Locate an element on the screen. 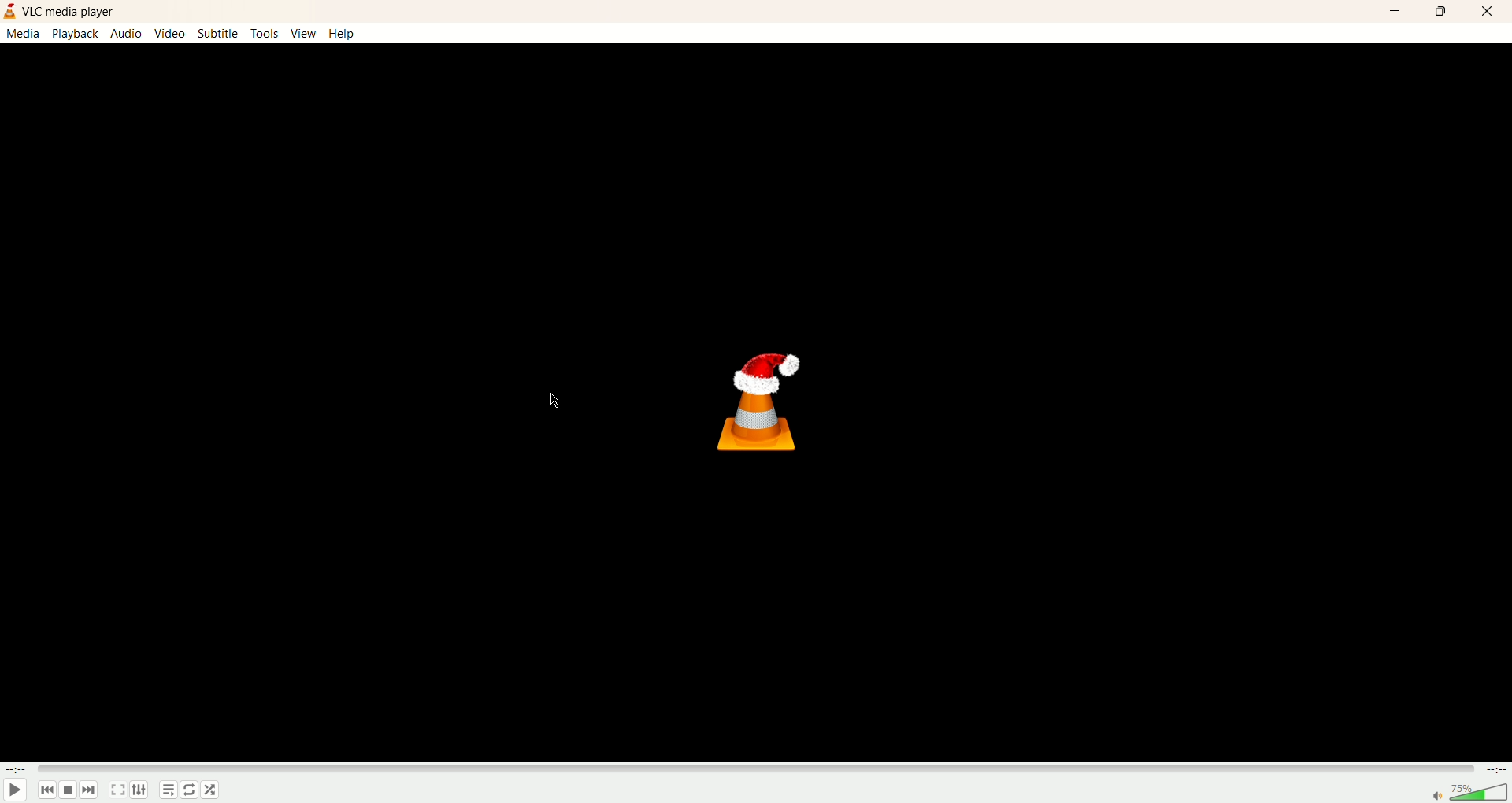  minimize is located at coordinates (1396, 11).